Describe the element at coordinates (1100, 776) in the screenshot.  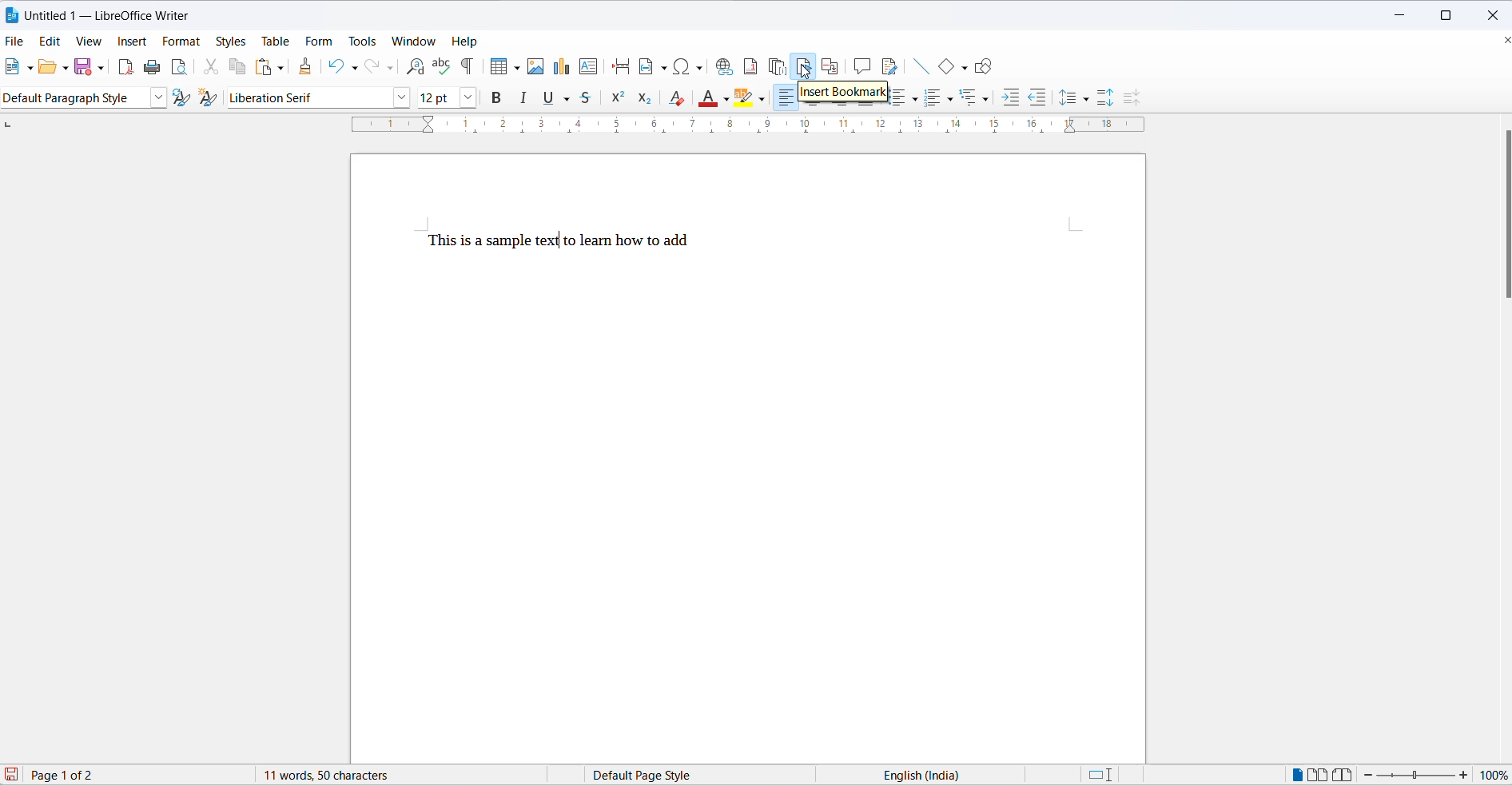
I see `standard selection` at that location.